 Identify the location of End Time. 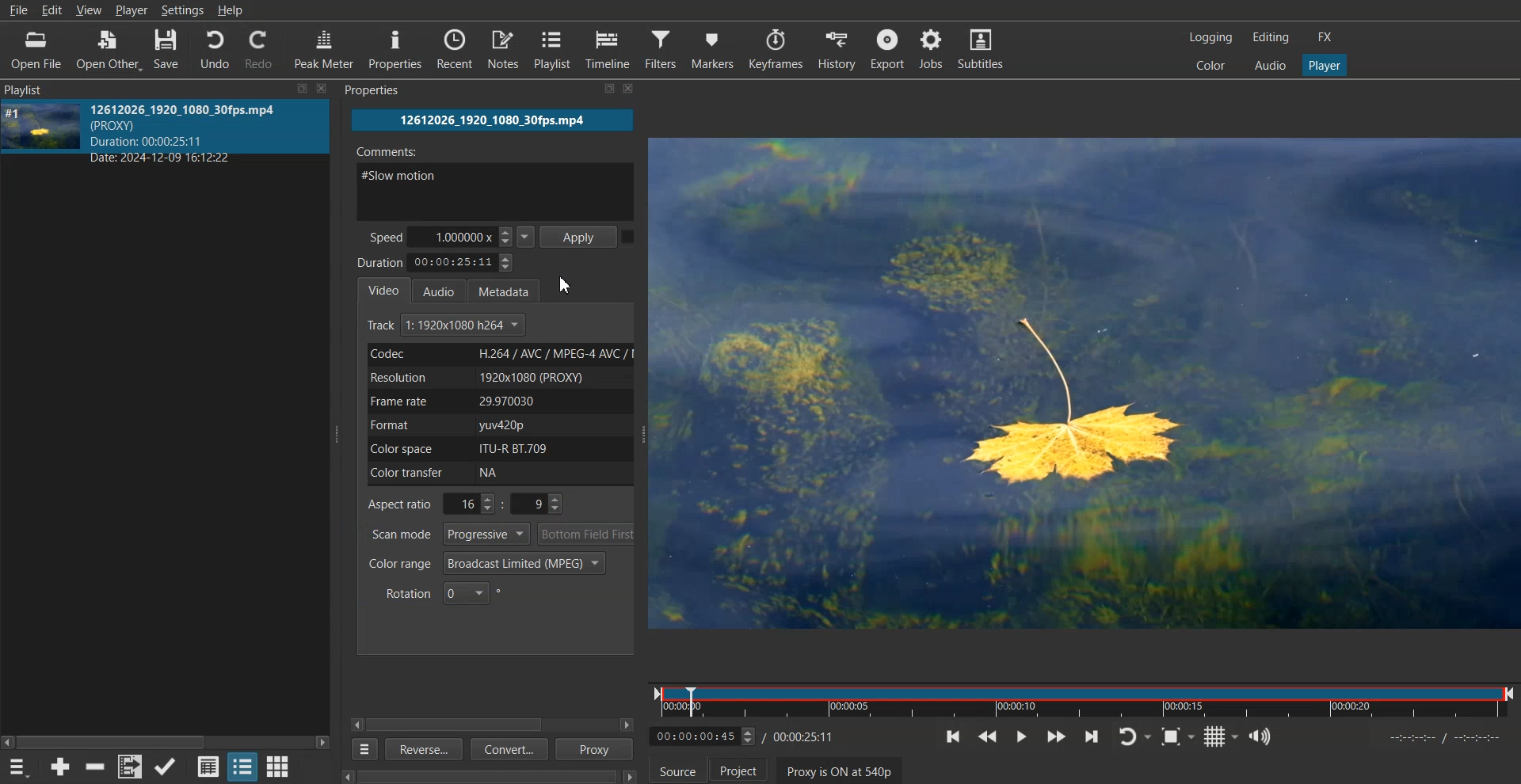
(806, 736).